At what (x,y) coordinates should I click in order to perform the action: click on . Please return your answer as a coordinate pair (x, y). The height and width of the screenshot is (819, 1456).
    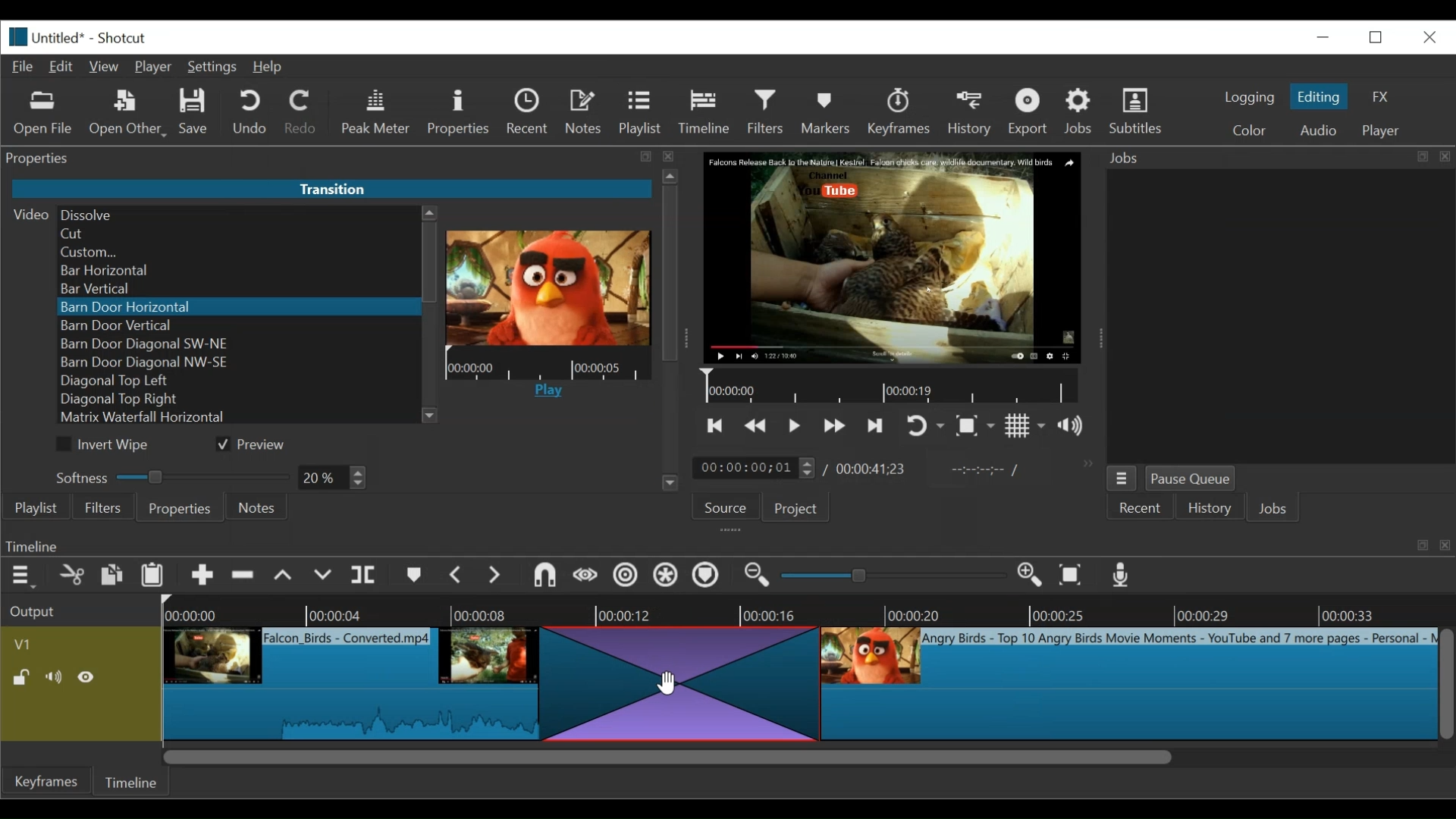
    Looking at the image, I should click on (347, 683).